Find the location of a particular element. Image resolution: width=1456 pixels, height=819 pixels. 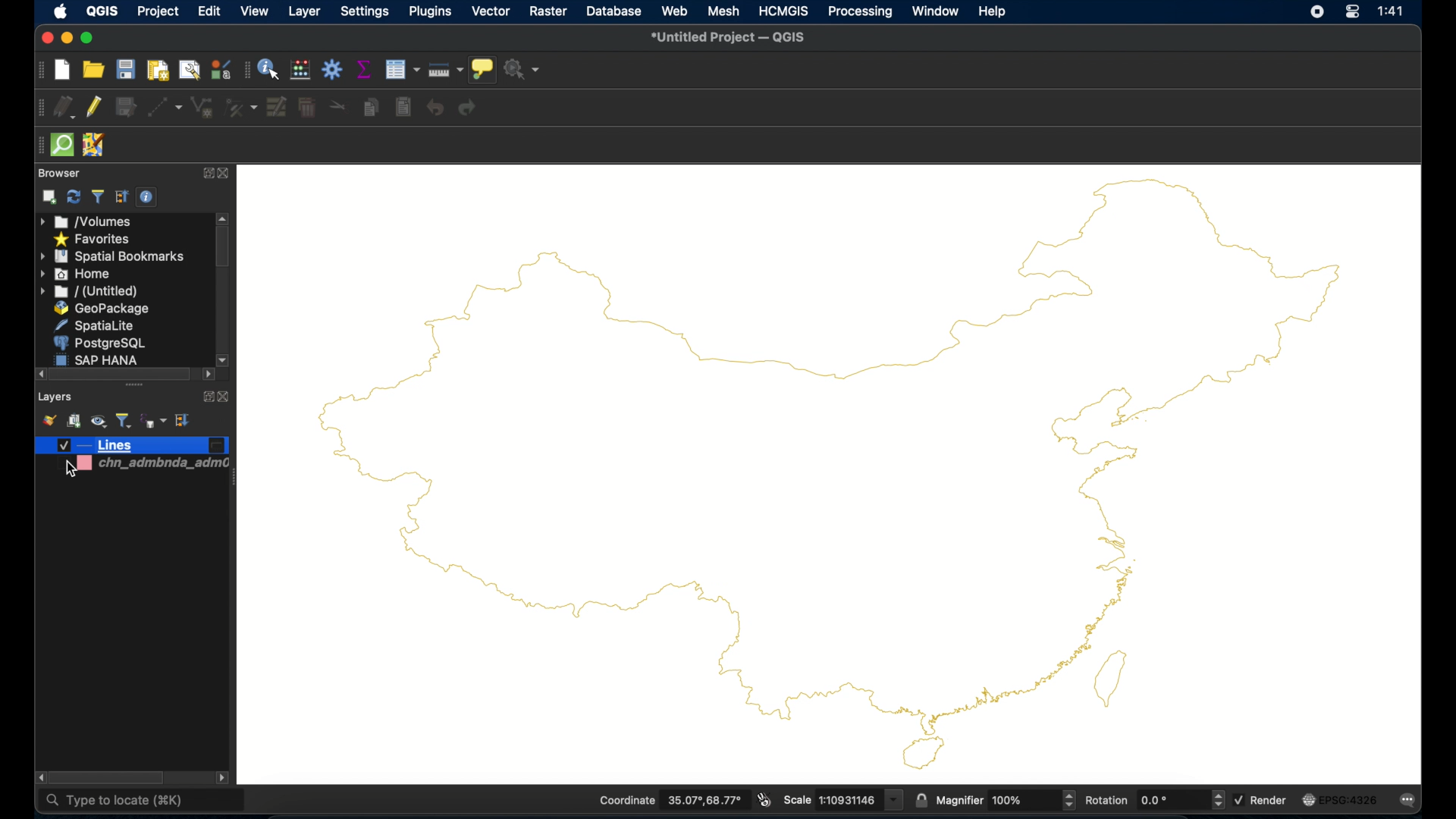

cut features is located at coordinates (337, 106).